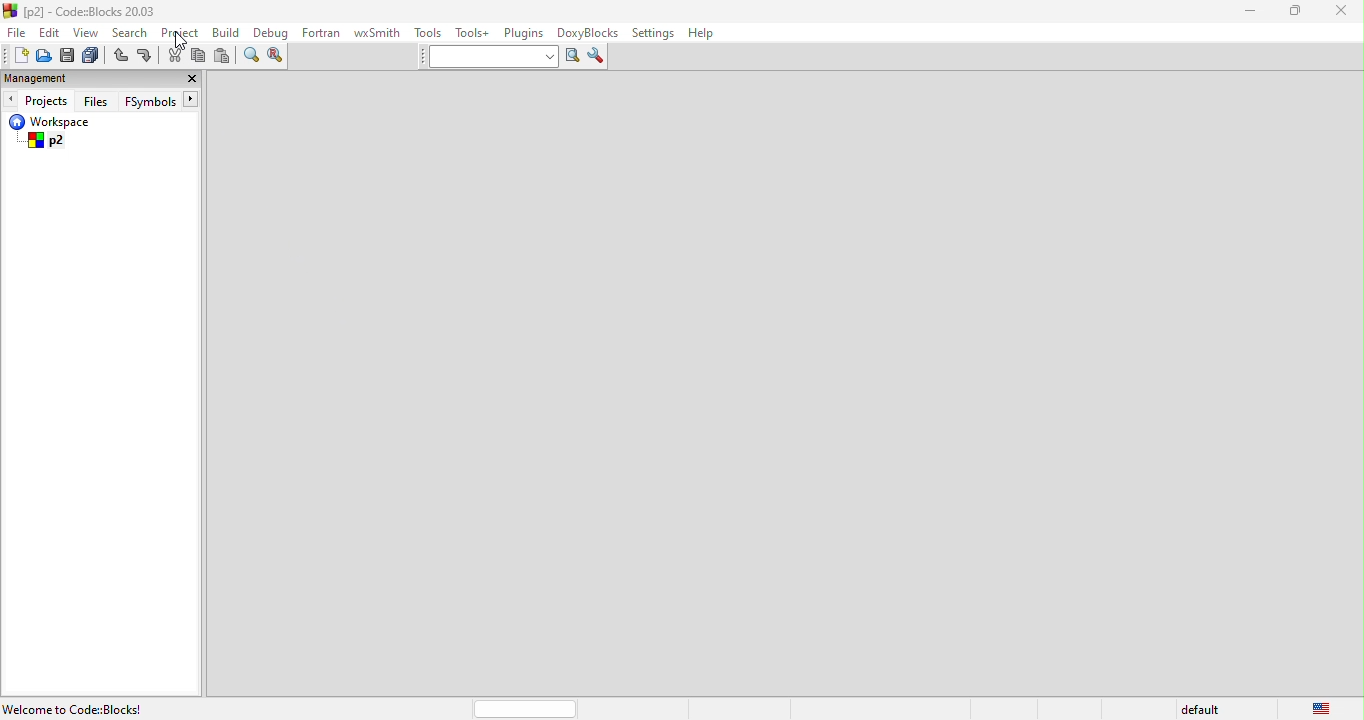 The width and height of the screenshot is (1364, 720). I want to click on undo, so click(120, 57).